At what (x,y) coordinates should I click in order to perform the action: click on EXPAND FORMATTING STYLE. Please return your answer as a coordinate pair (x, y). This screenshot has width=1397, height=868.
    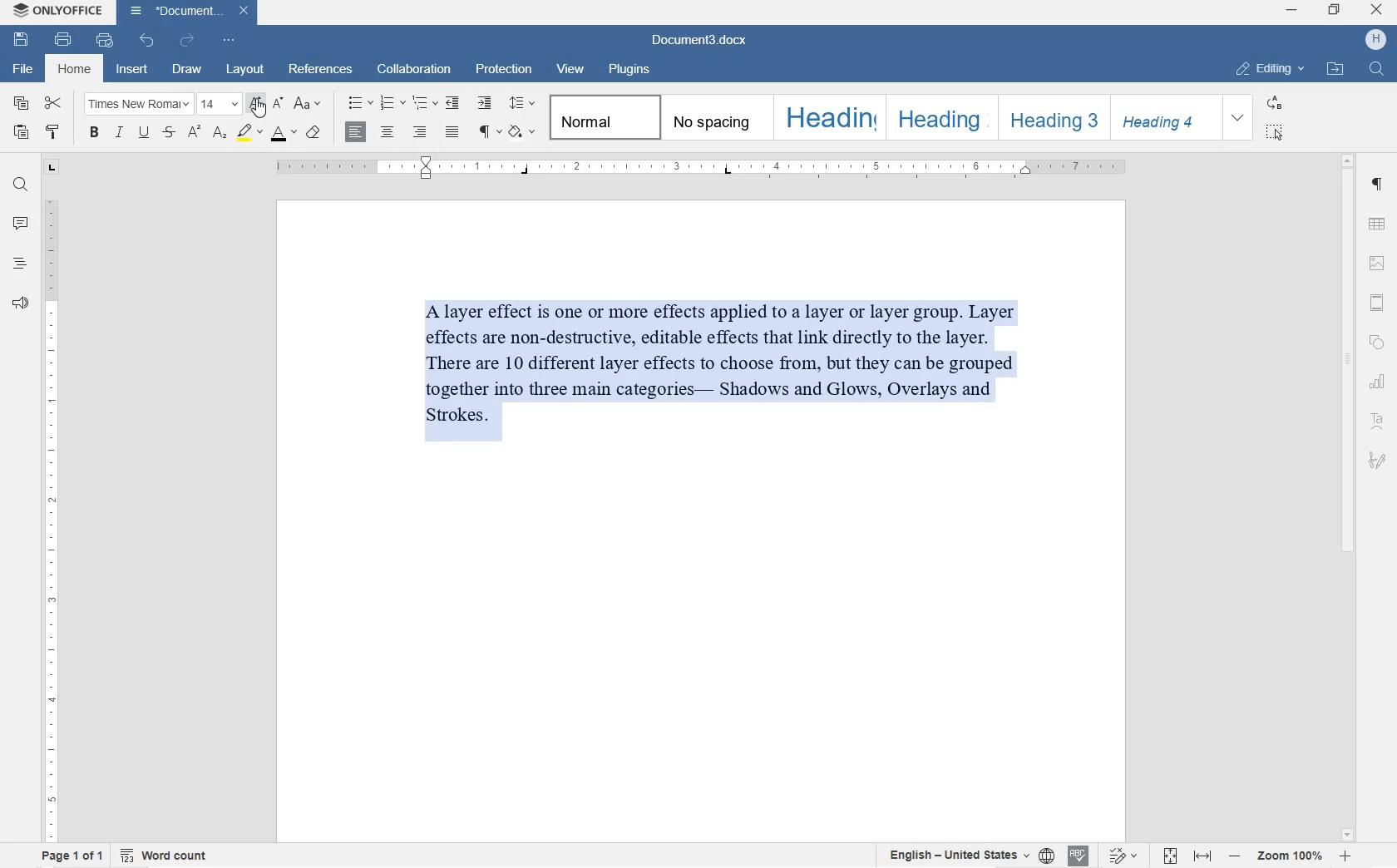
    Looking at the image, I should click on (1240, 119).